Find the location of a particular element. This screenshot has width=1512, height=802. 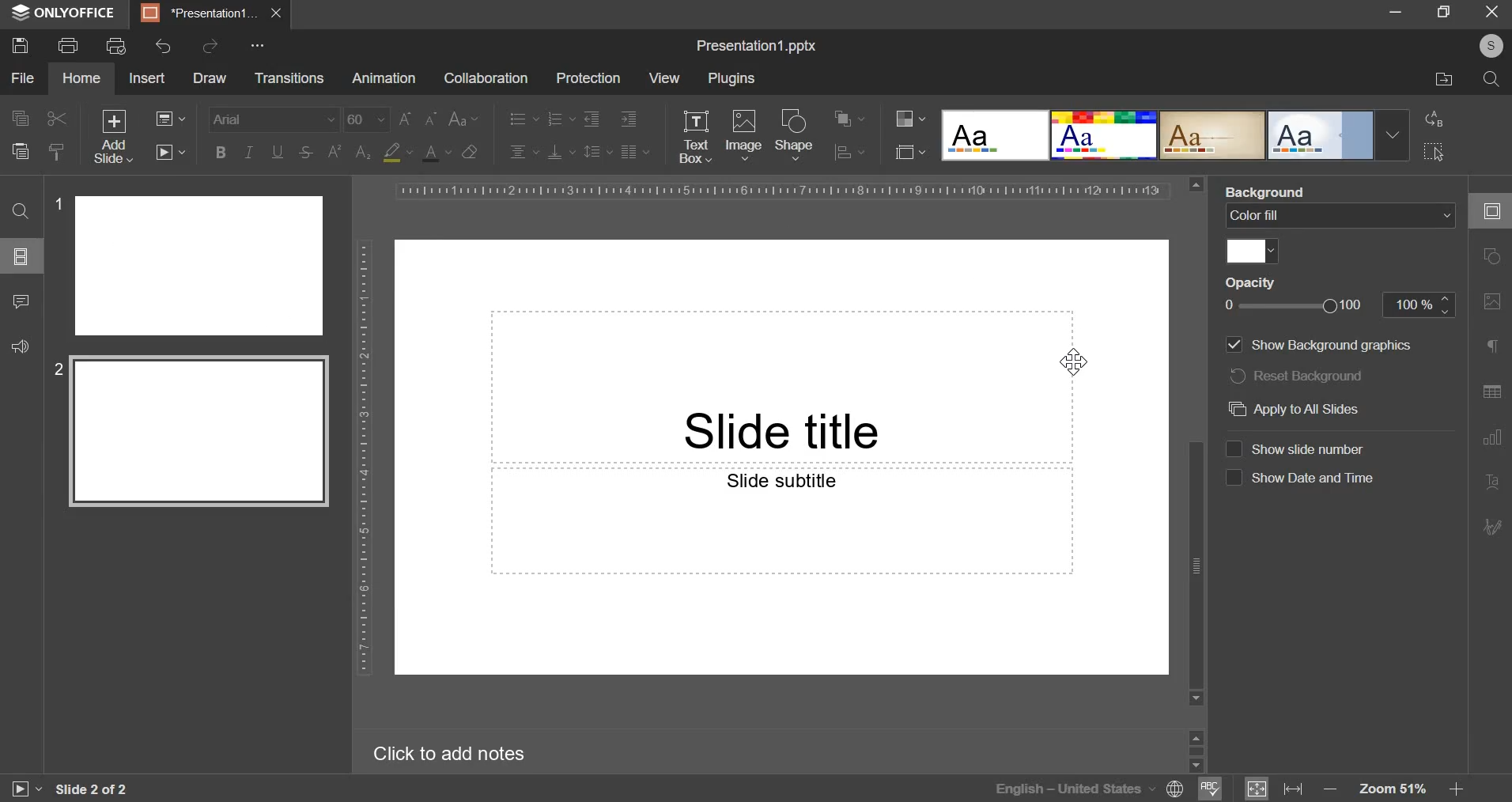

zoom out is located at coordinates (1332, 790).